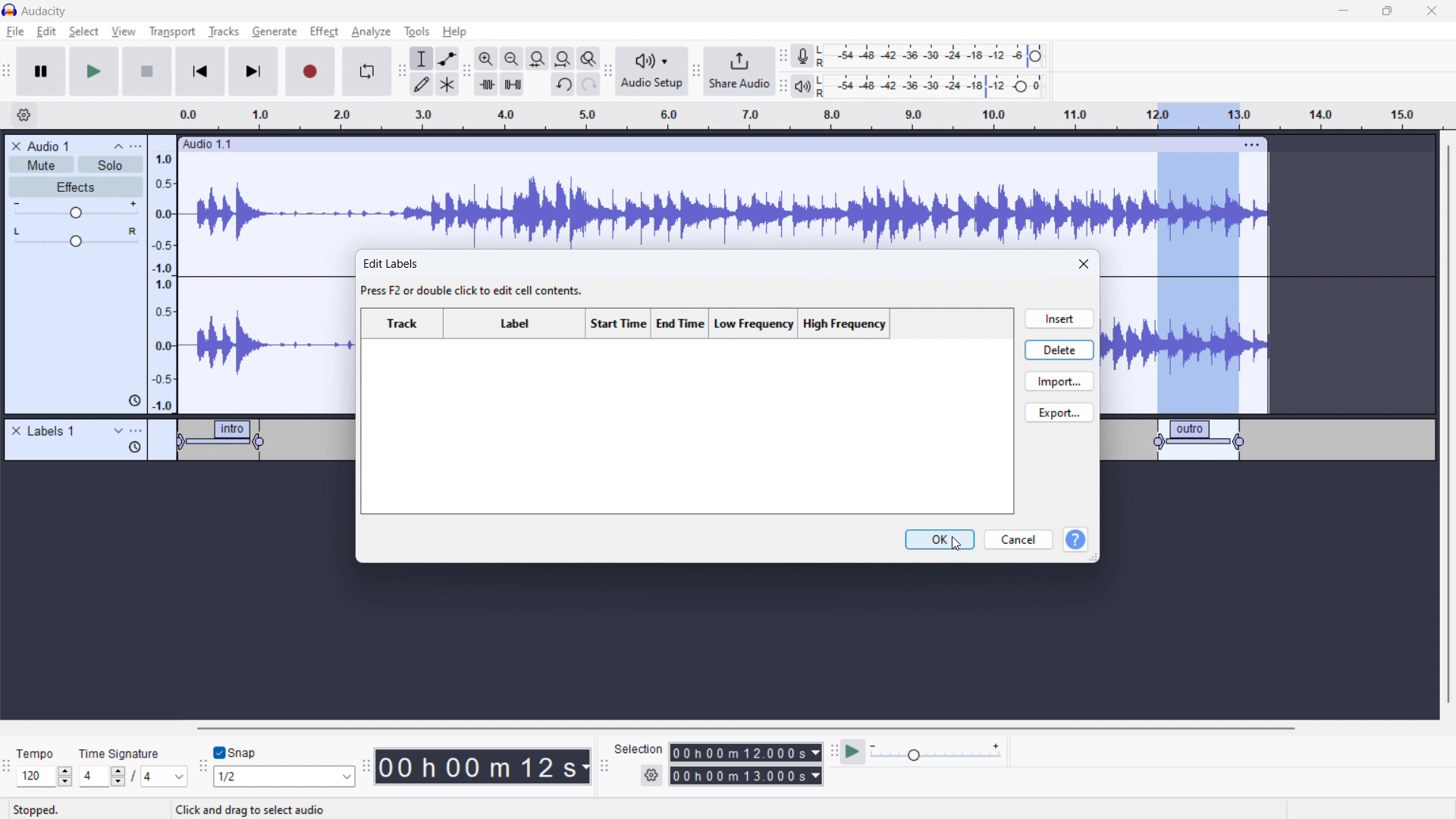 The image size is (1456, 819). What do you see at coordinates (588, 58) in the screenshot?
I see `toggle zoom` at bounding box center [588, 58].